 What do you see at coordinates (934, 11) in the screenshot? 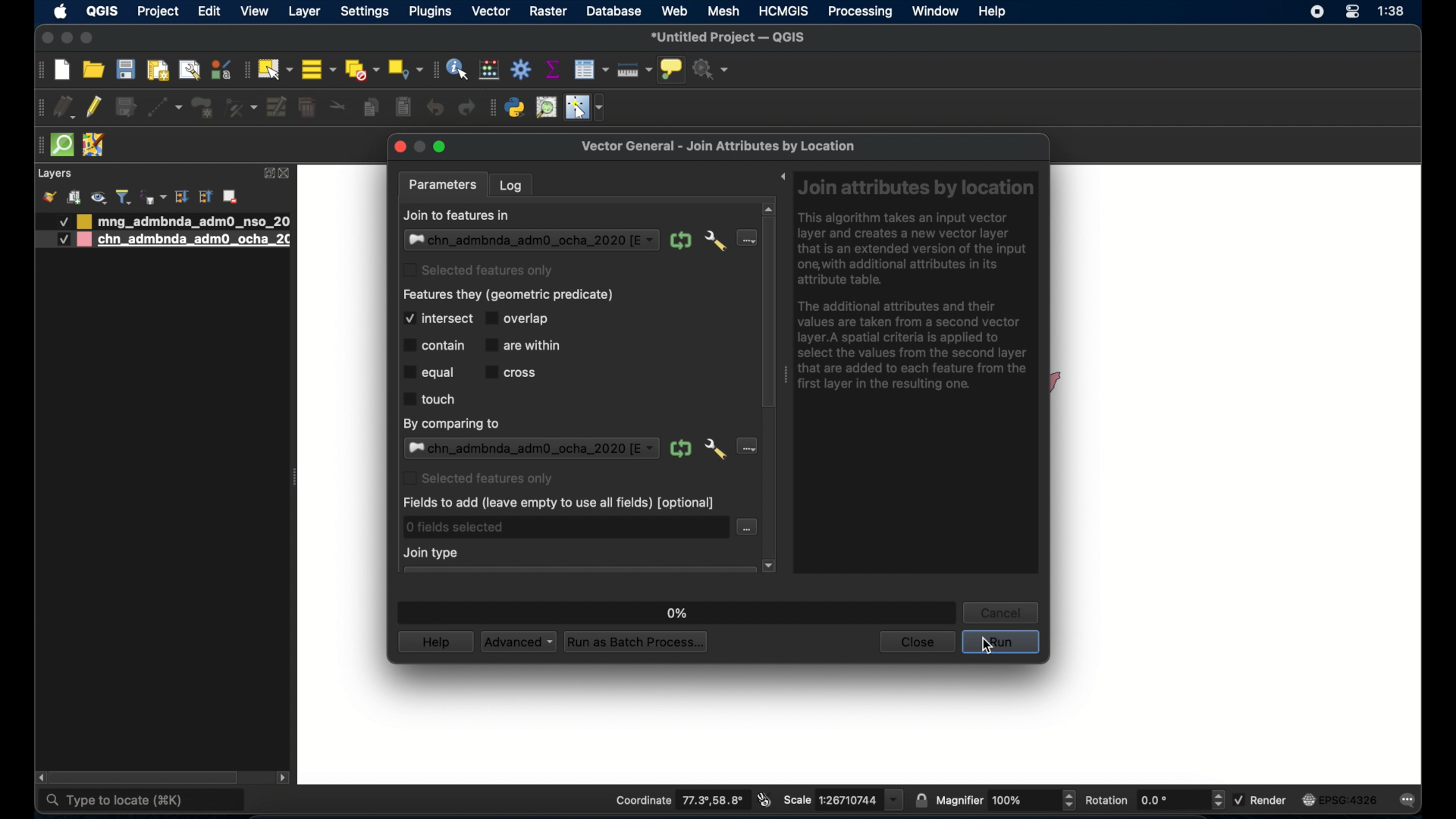
I see `window` at bounding box center [934, 11].